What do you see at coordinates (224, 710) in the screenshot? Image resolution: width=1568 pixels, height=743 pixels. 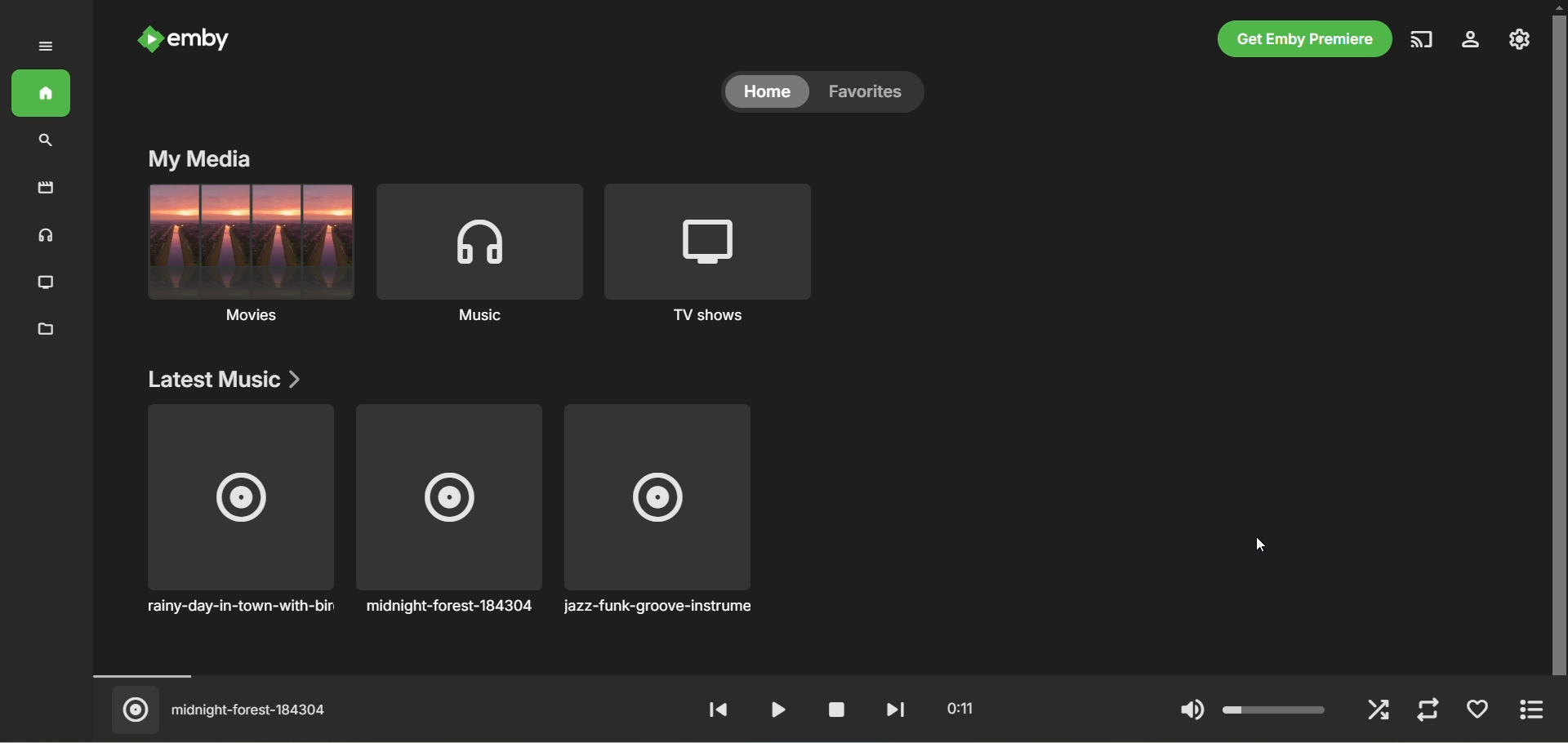 I see `(©  midnight-forest-184304` at bounding box center [224, 710].